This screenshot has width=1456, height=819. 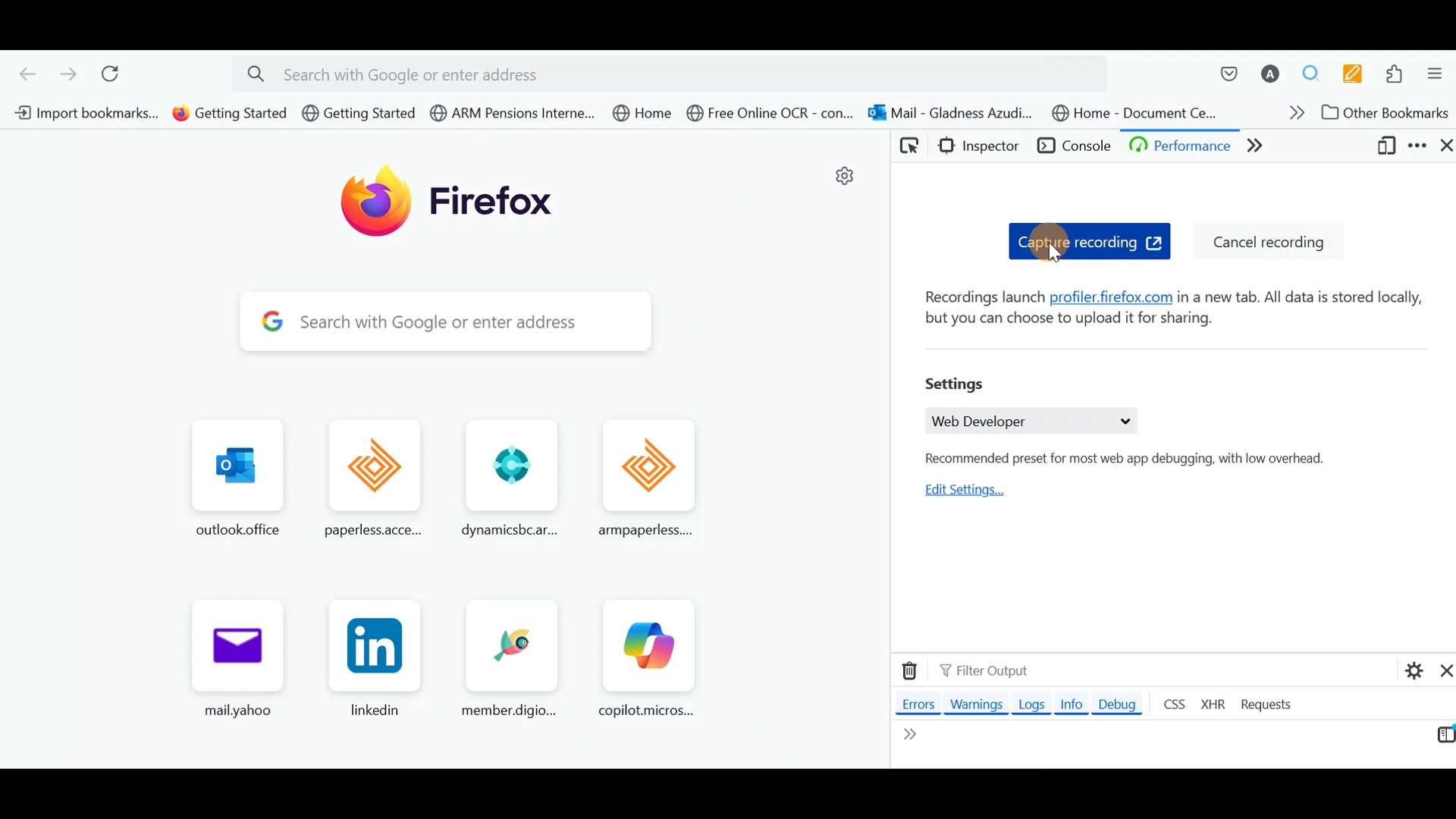 What do you see at coordinates (1386, 115) in the screenshot?
I see `Other bookmarks` at bounding box center [1386, 115].